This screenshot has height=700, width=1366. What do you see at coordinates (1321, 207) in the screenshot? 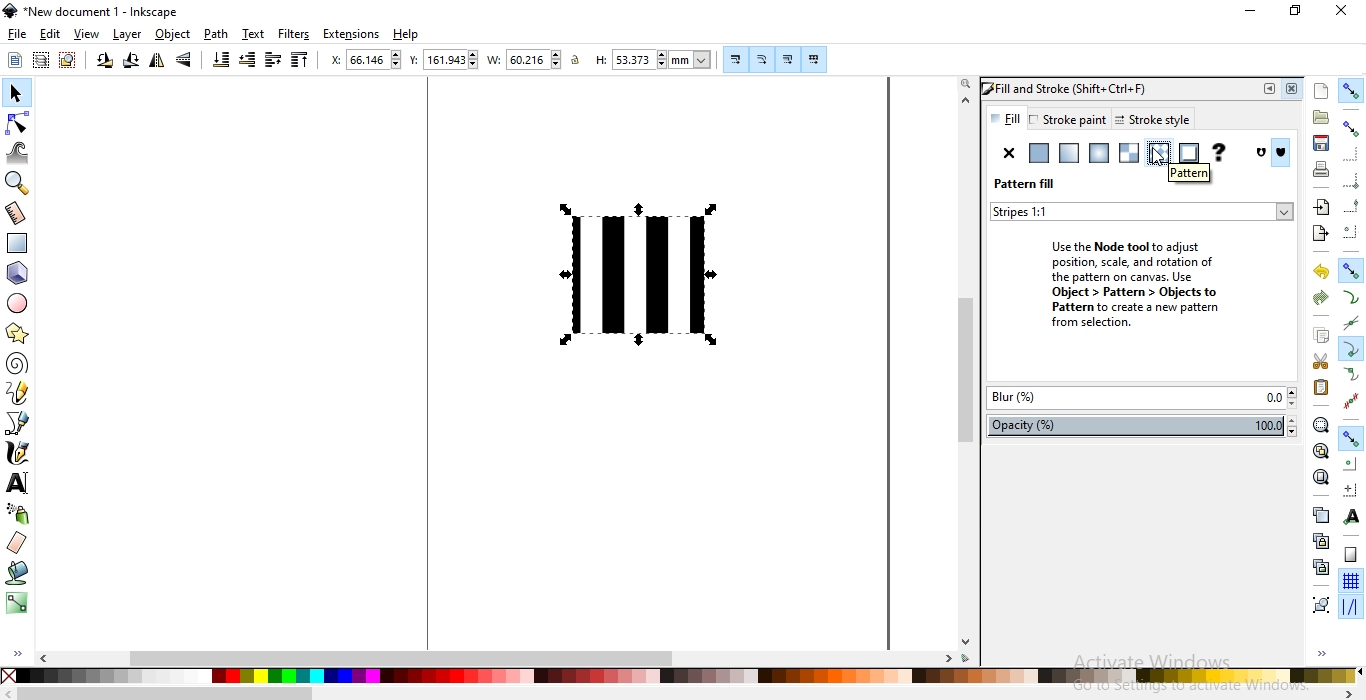
I see `import a bitmap` at bounding box center [1321, 207].